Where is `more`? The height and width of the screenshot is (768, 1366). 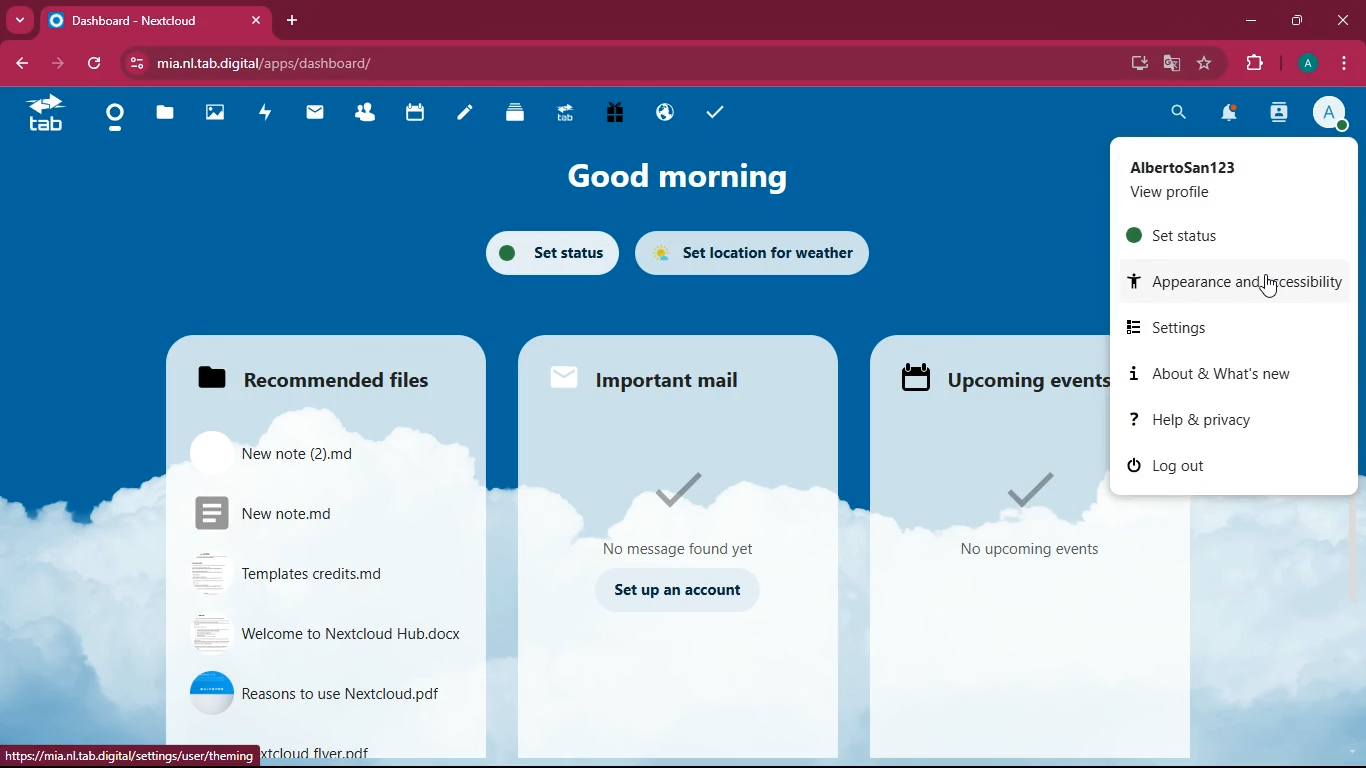 more is located at coordinates (22, 20).